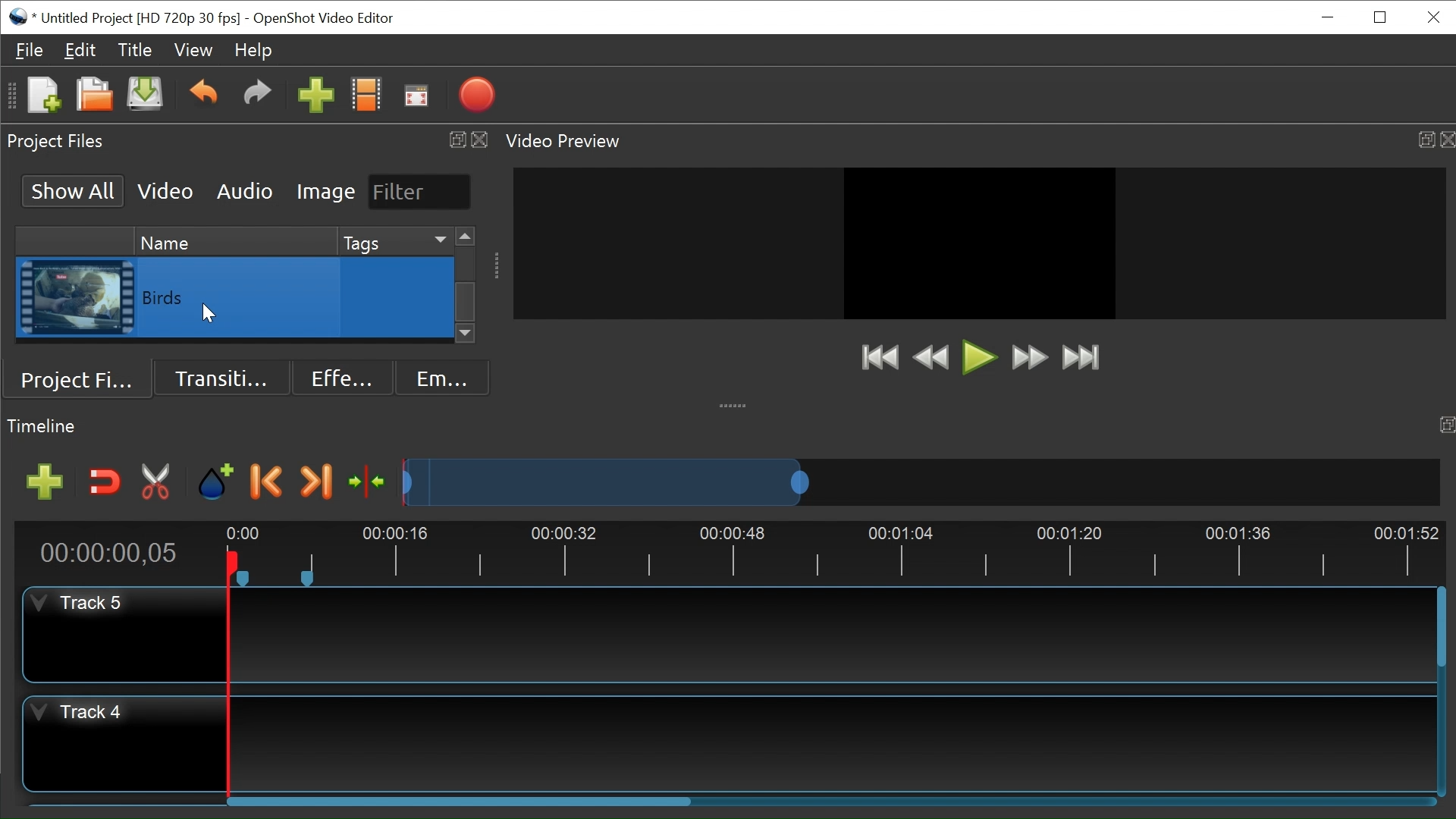 The image size is (1456, 819). Describe the element at coordinates (108, 555) in the screenshot. I see `Current Position` at that location.